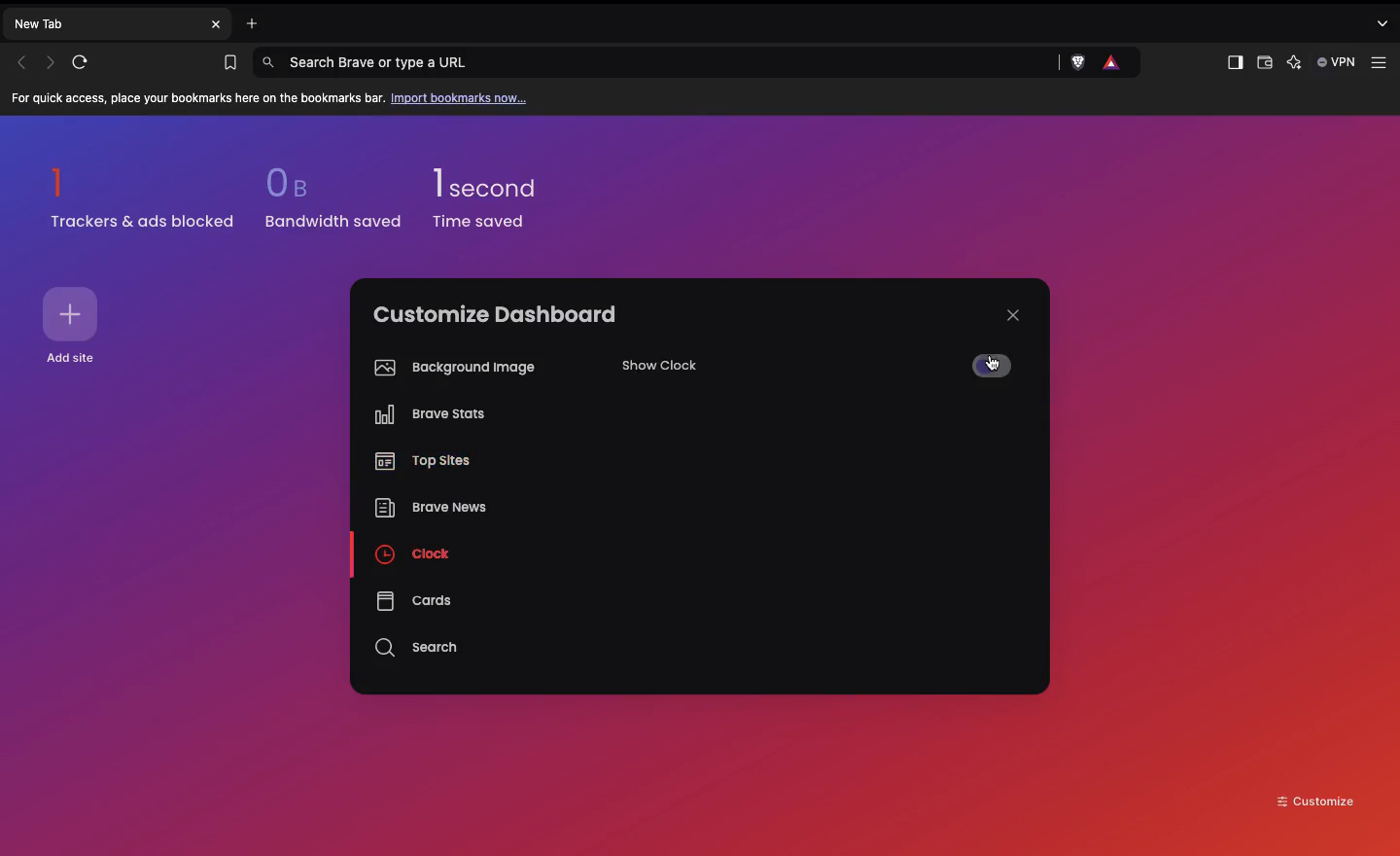  Describe the element at coordinates (417, 553) in the screenshot. I see `On clock` at that location.